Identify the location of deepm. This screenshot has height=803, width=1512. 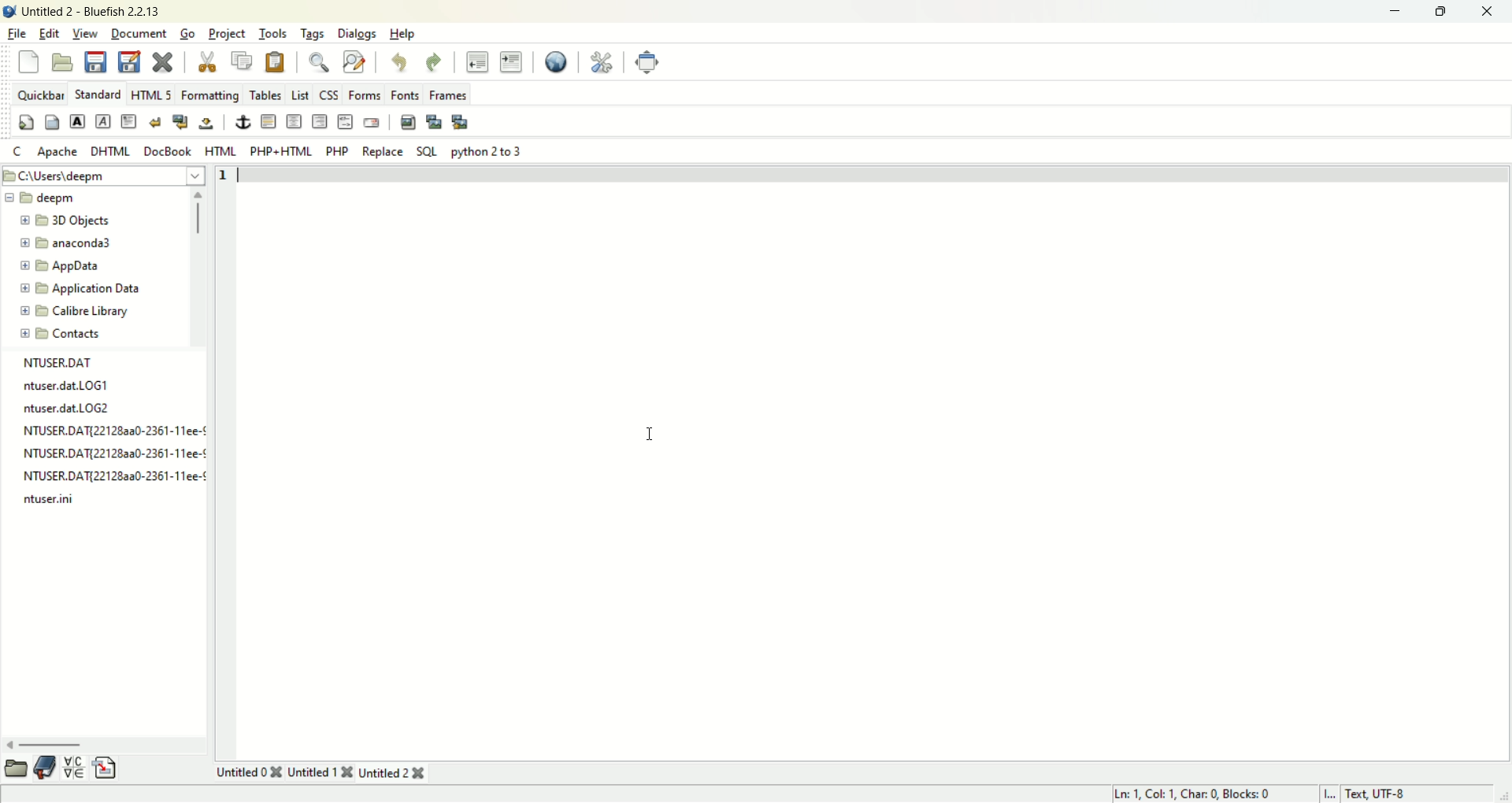
(46, 198).